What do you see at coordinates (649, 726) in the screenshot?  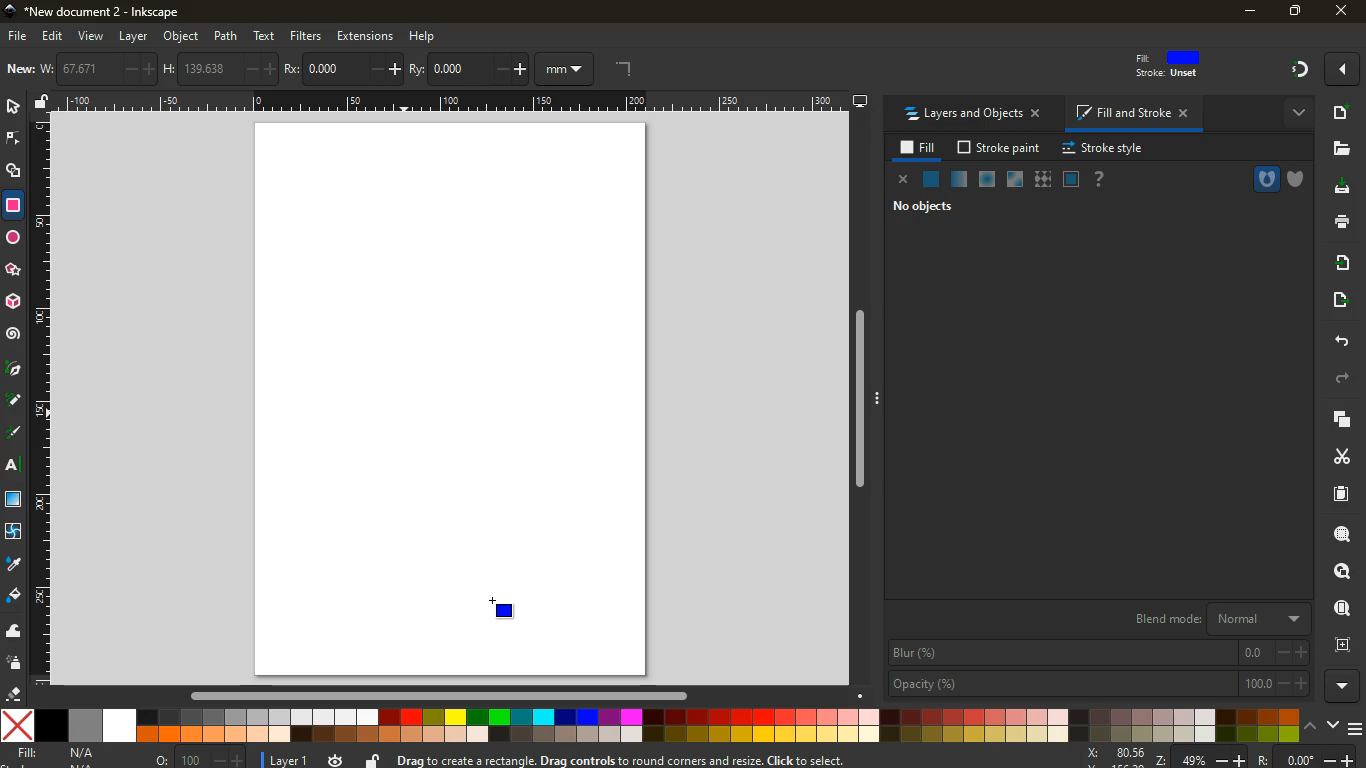 I see `colors` at bounding box center [649, 726].